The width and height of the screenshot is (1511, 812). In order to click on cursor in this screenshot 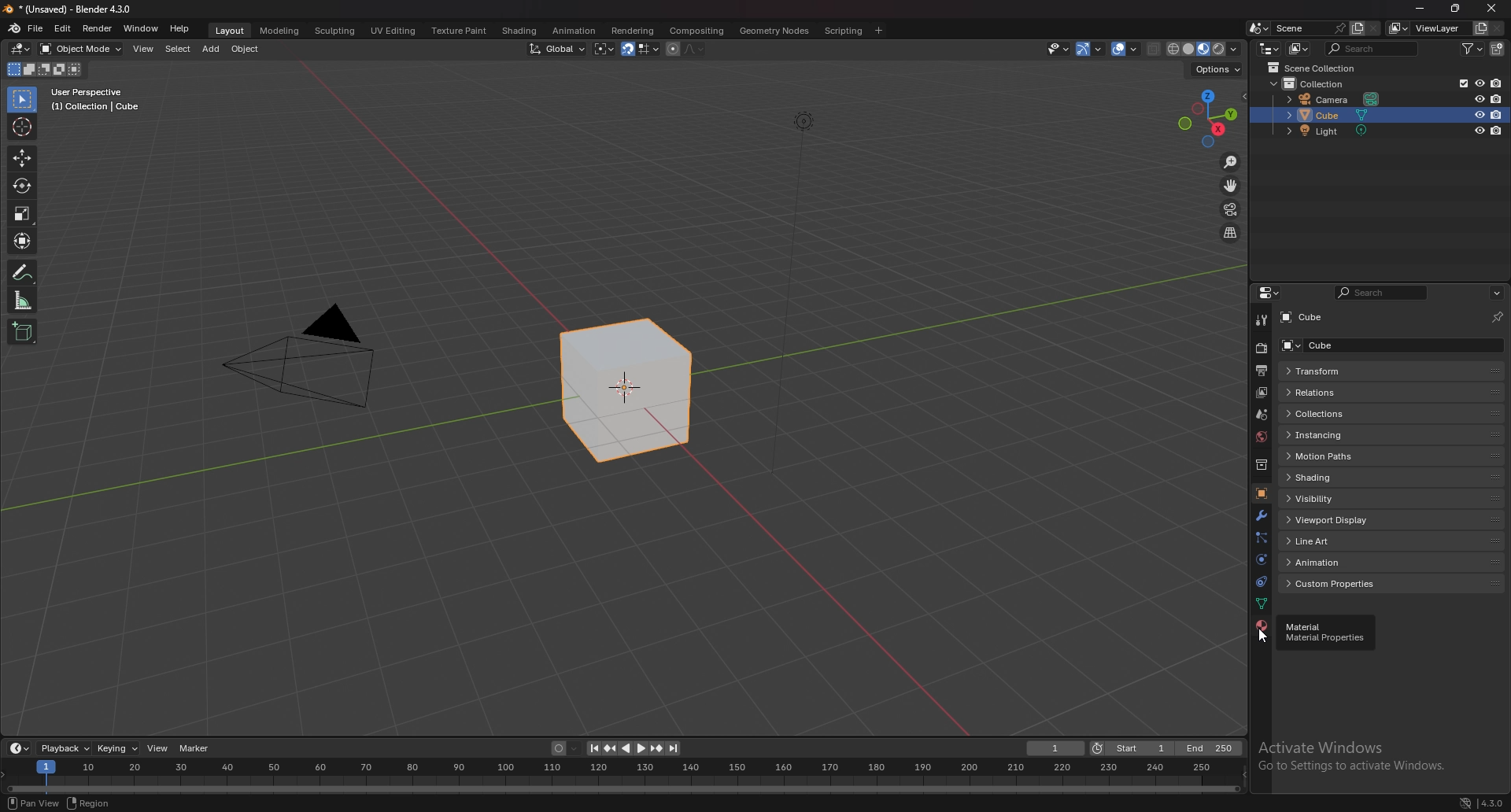, I will do `click(1262, 640)`.